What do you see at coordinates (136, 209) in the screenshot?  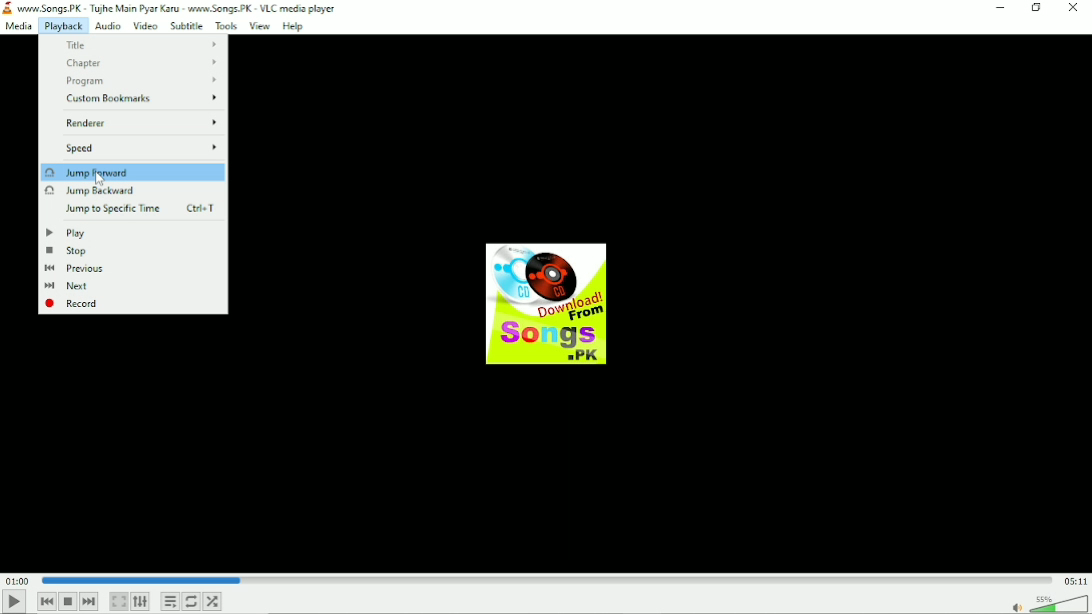 I see `Jump to specific time` at bounding box center [136, 209].